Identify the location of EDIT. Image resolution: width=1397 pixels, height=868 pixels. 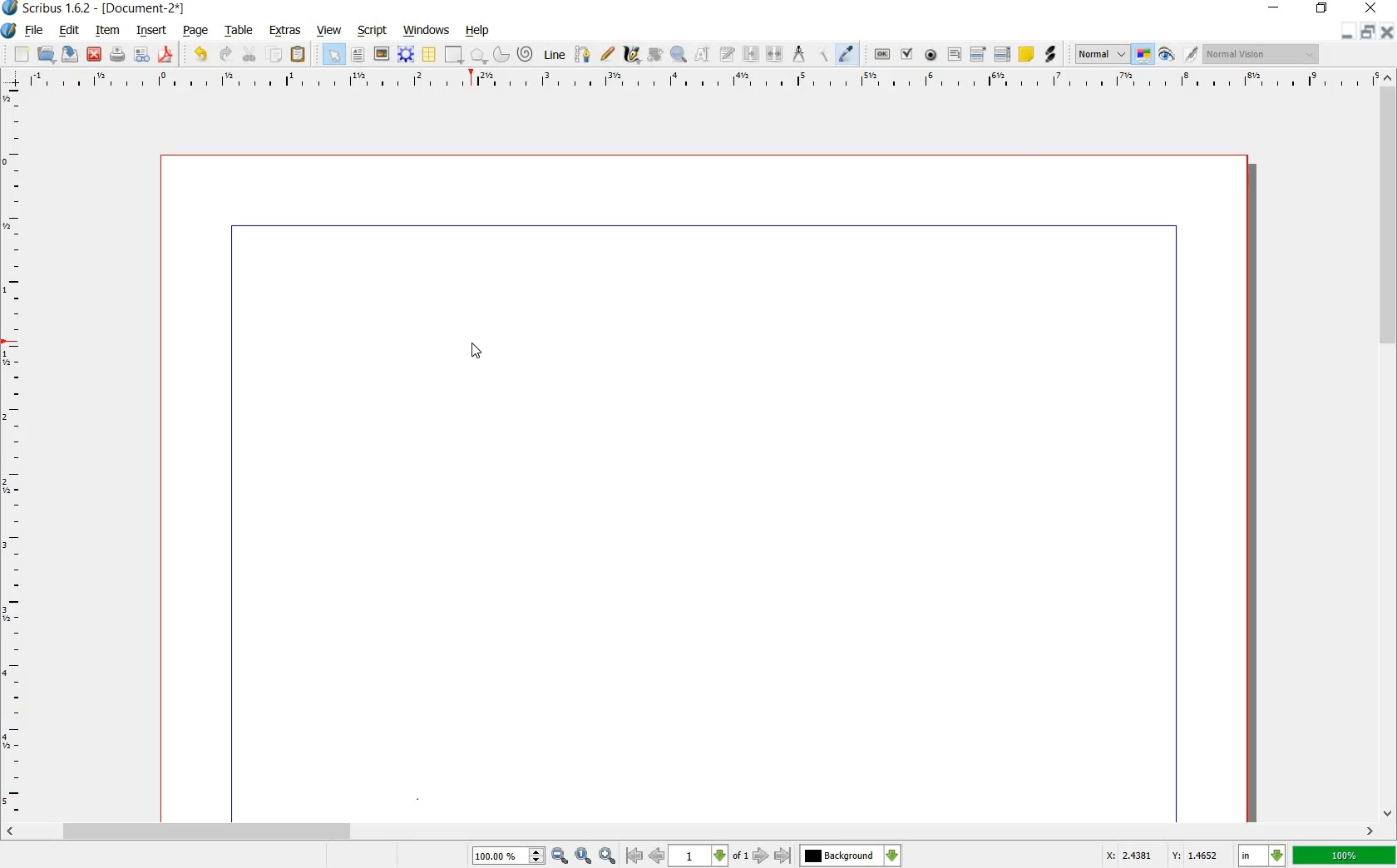
(68, 31).